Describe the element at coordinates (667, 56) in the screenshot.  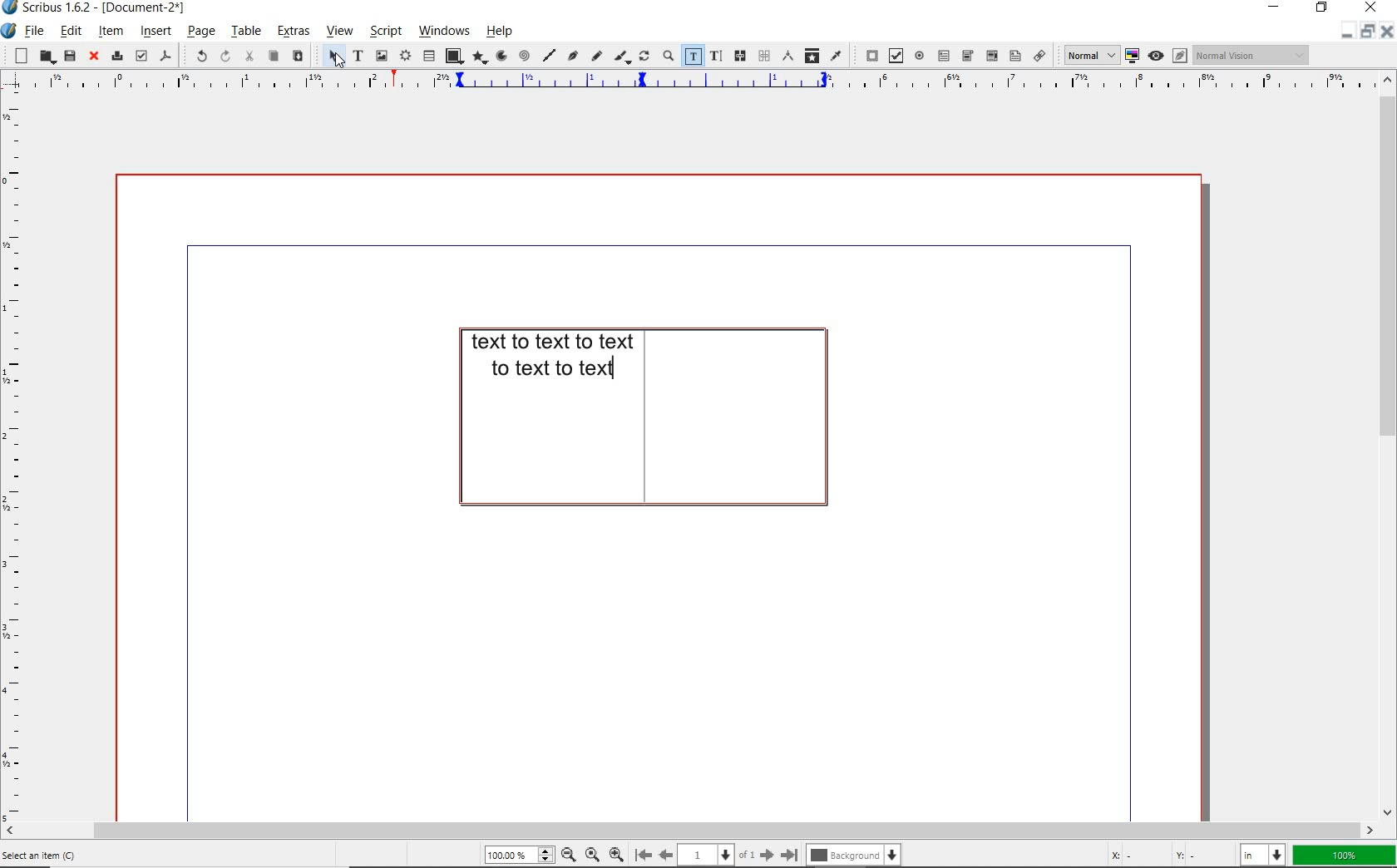
I see `zoom in or zoom out` at that location.